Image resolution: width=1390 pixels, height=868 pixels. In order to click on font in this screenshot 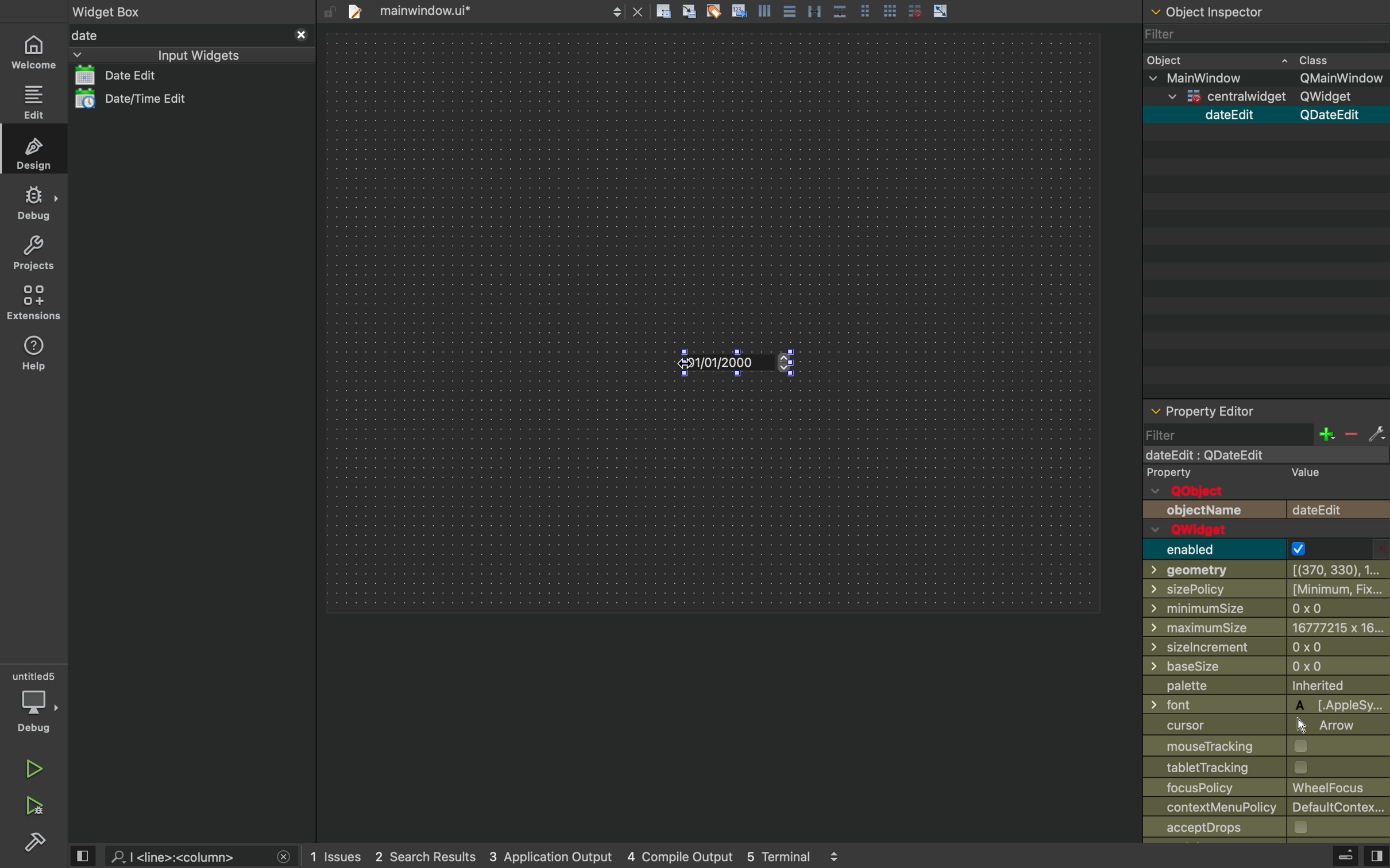, I will do `click(1269, 705)`.